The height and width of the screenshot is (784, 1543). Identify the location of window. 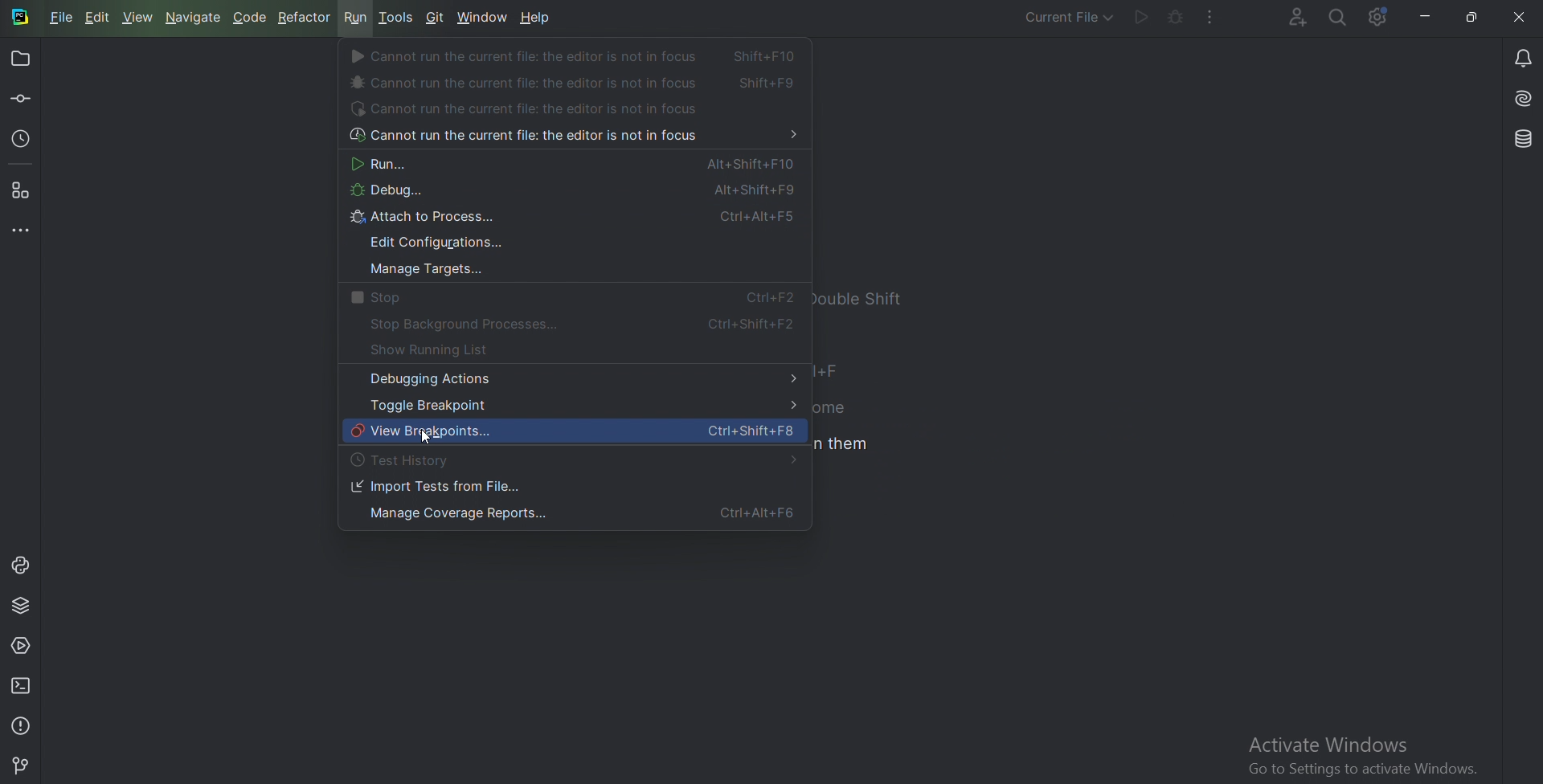
(483, 16).